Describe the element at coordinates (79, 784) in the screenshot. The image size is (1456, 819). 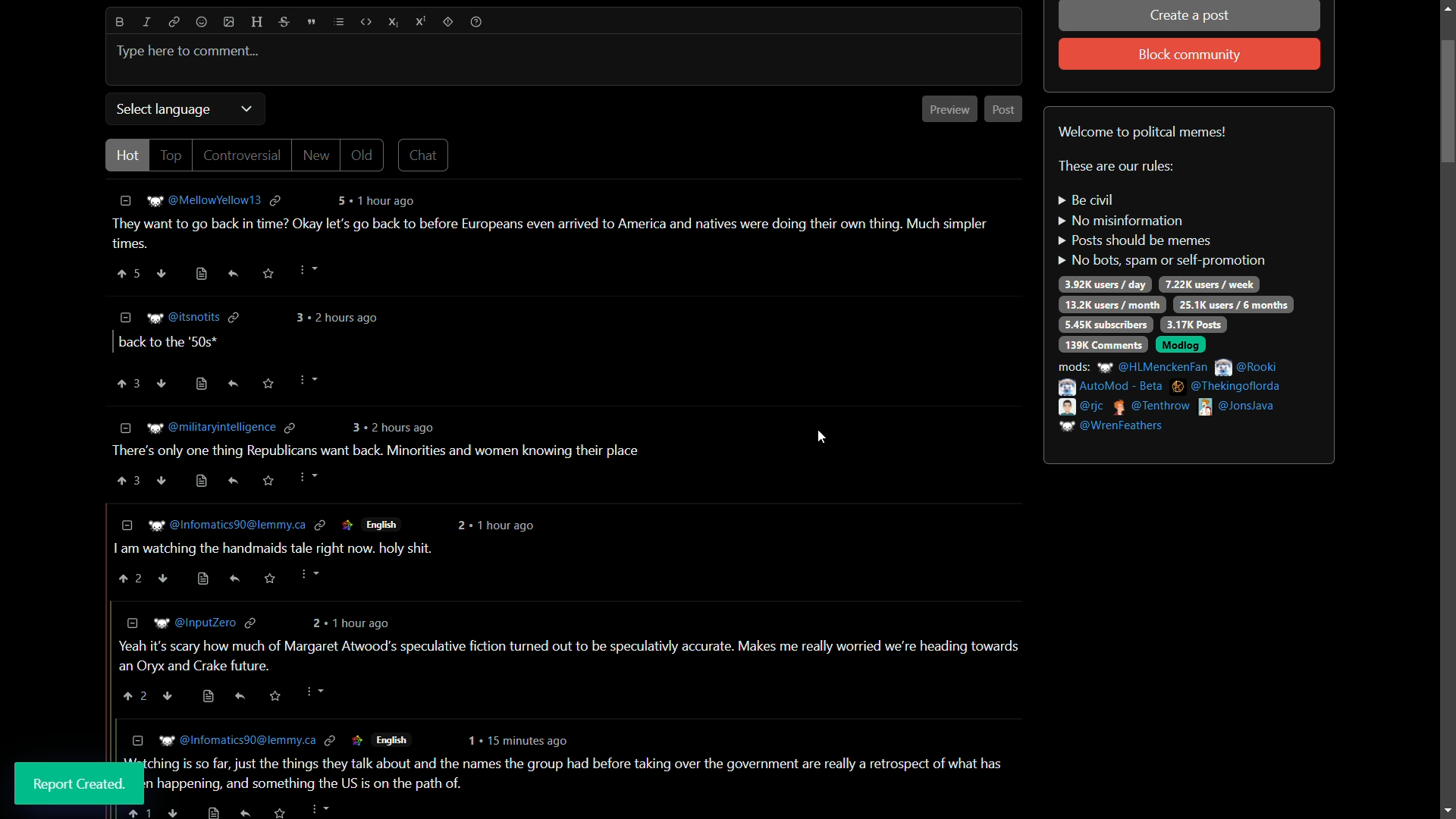
I see `report created pop up` at that location.